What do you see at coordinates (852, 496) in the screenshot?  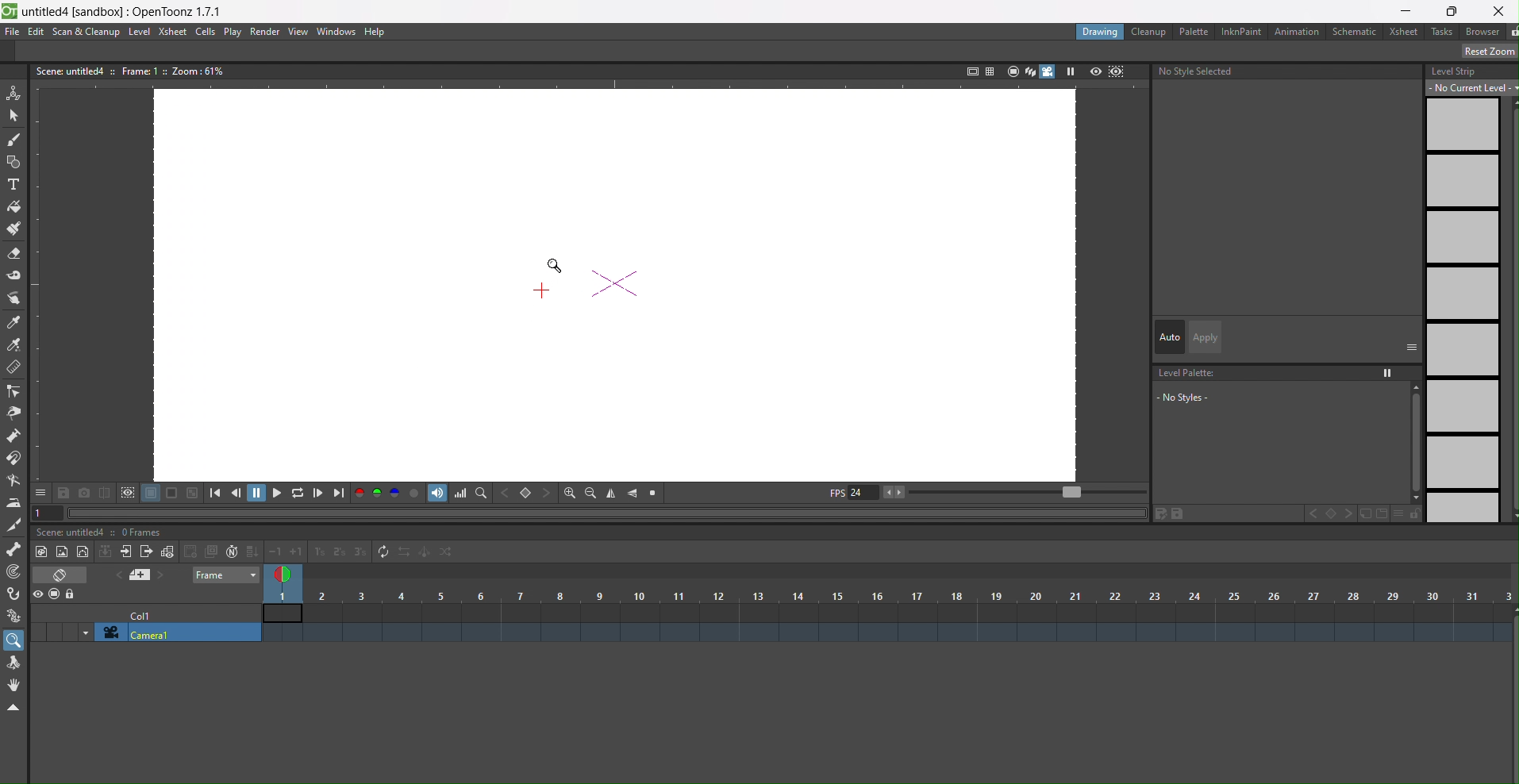 I see `fps display` at bounding box center [852, 496].